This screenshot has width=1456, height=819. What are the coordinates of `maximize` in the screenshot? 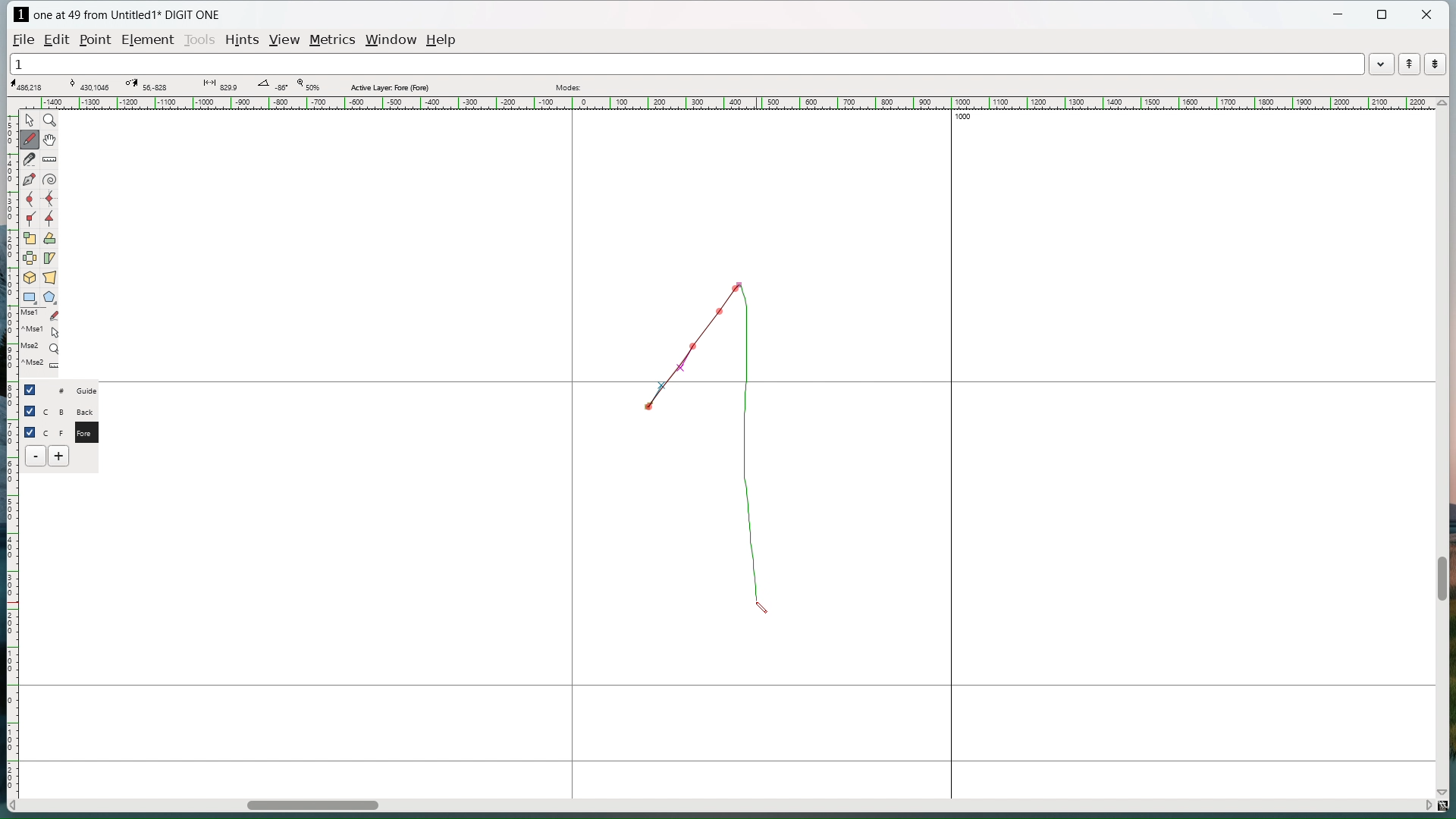 It's located at (1383, 15).